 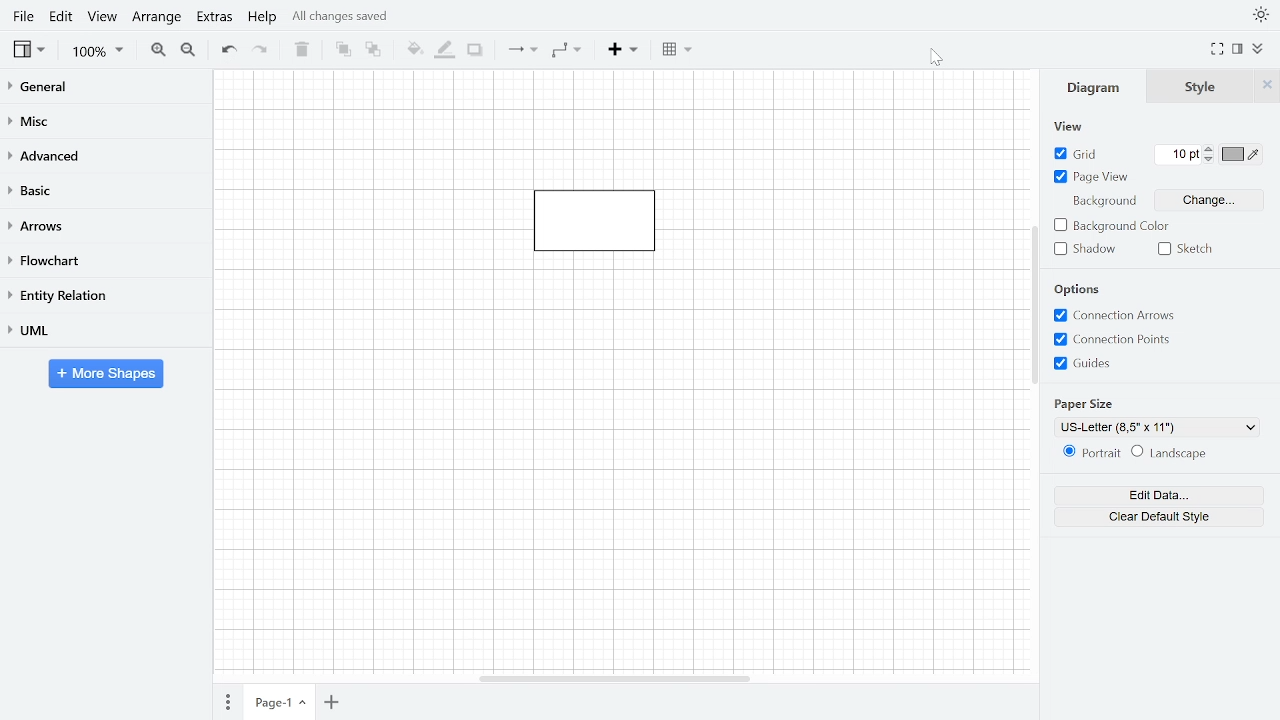 What do you see at coordinates (106, 155) in the screenshot?
I see `Advanced` at bounding box center [106, 155].